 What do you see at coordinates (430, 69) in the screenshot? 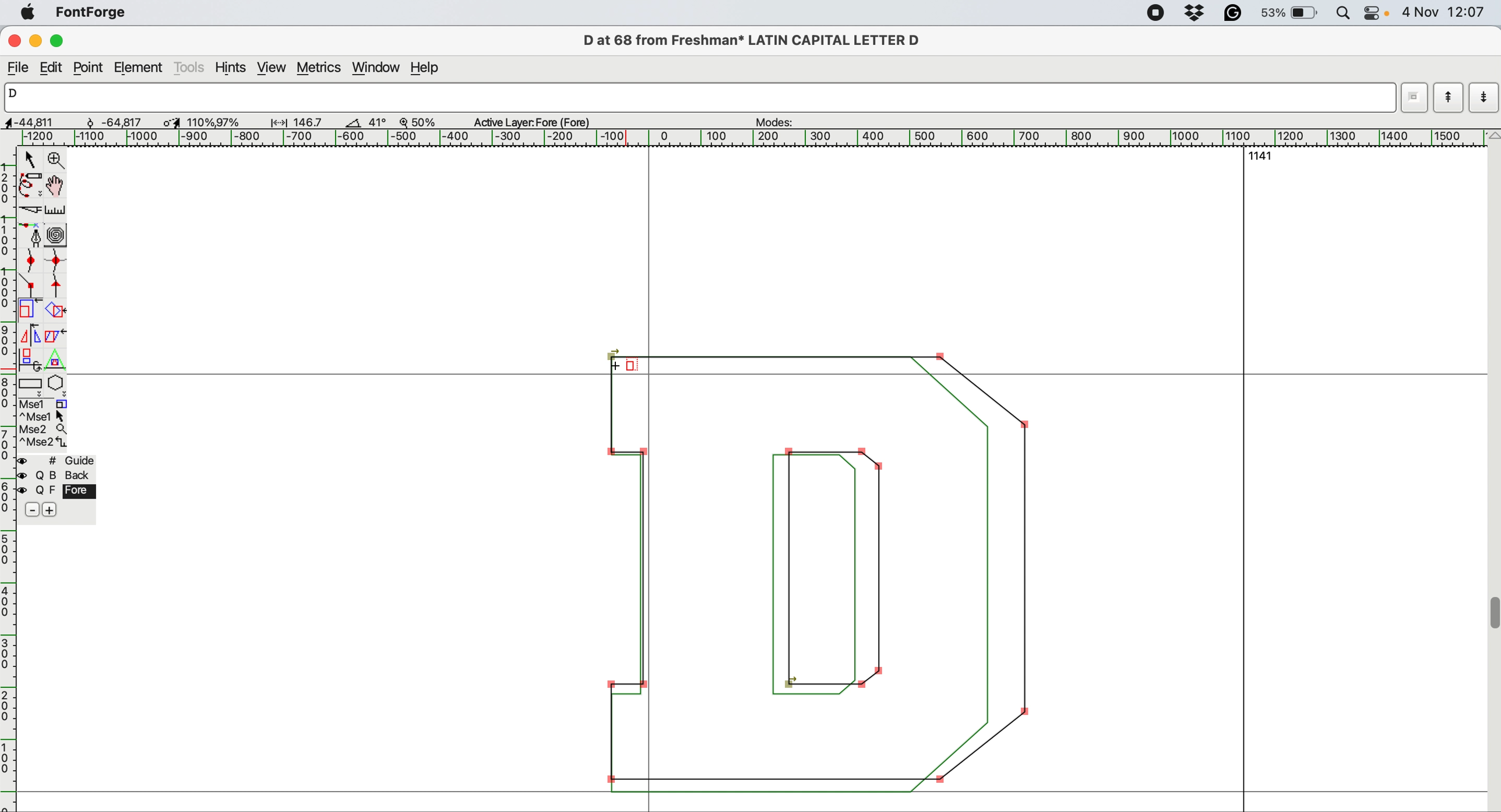
I see `help` at bounding box center [430, 69].